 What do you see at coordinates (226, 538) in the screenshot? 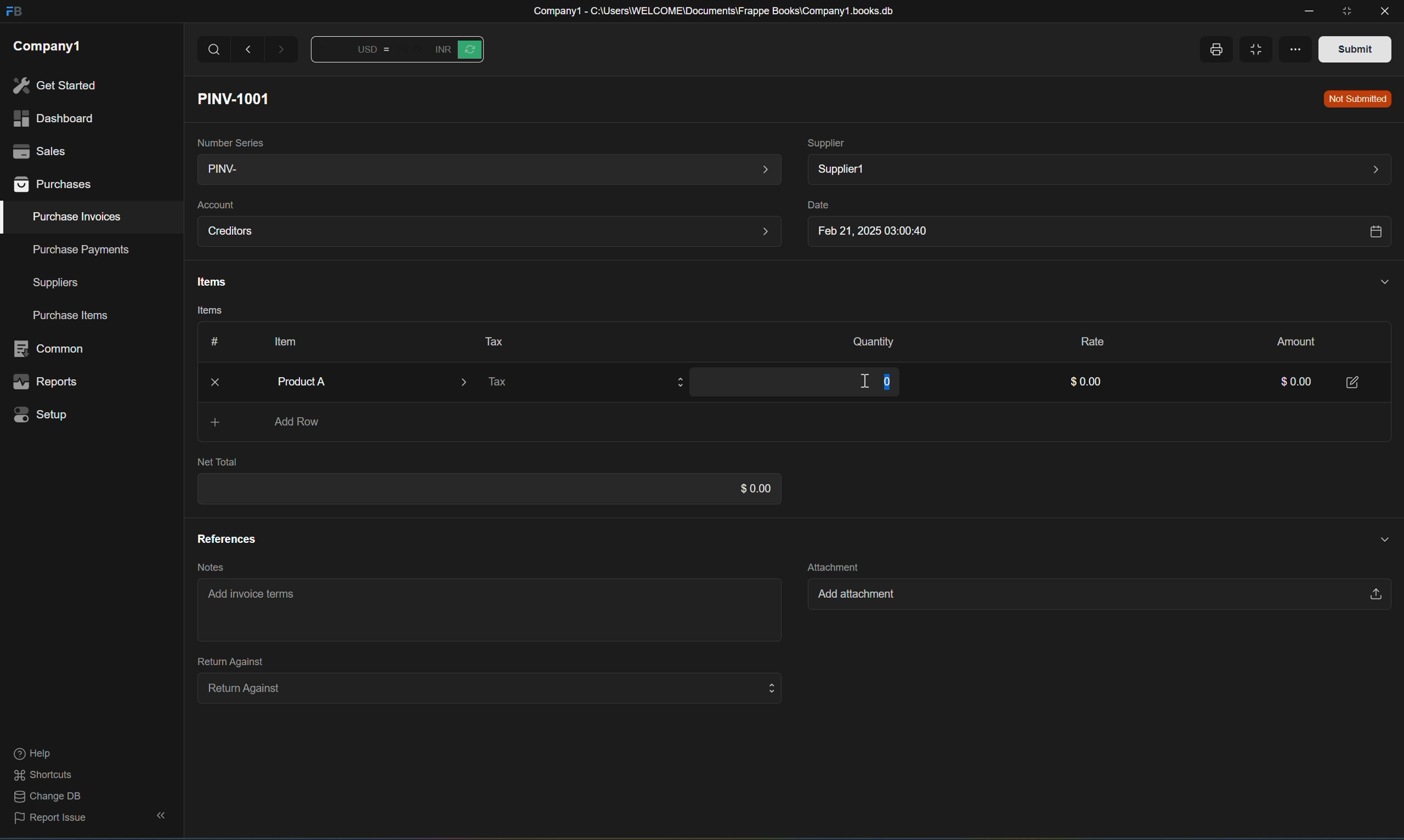
I see `References` at bounding box center [226, 538].